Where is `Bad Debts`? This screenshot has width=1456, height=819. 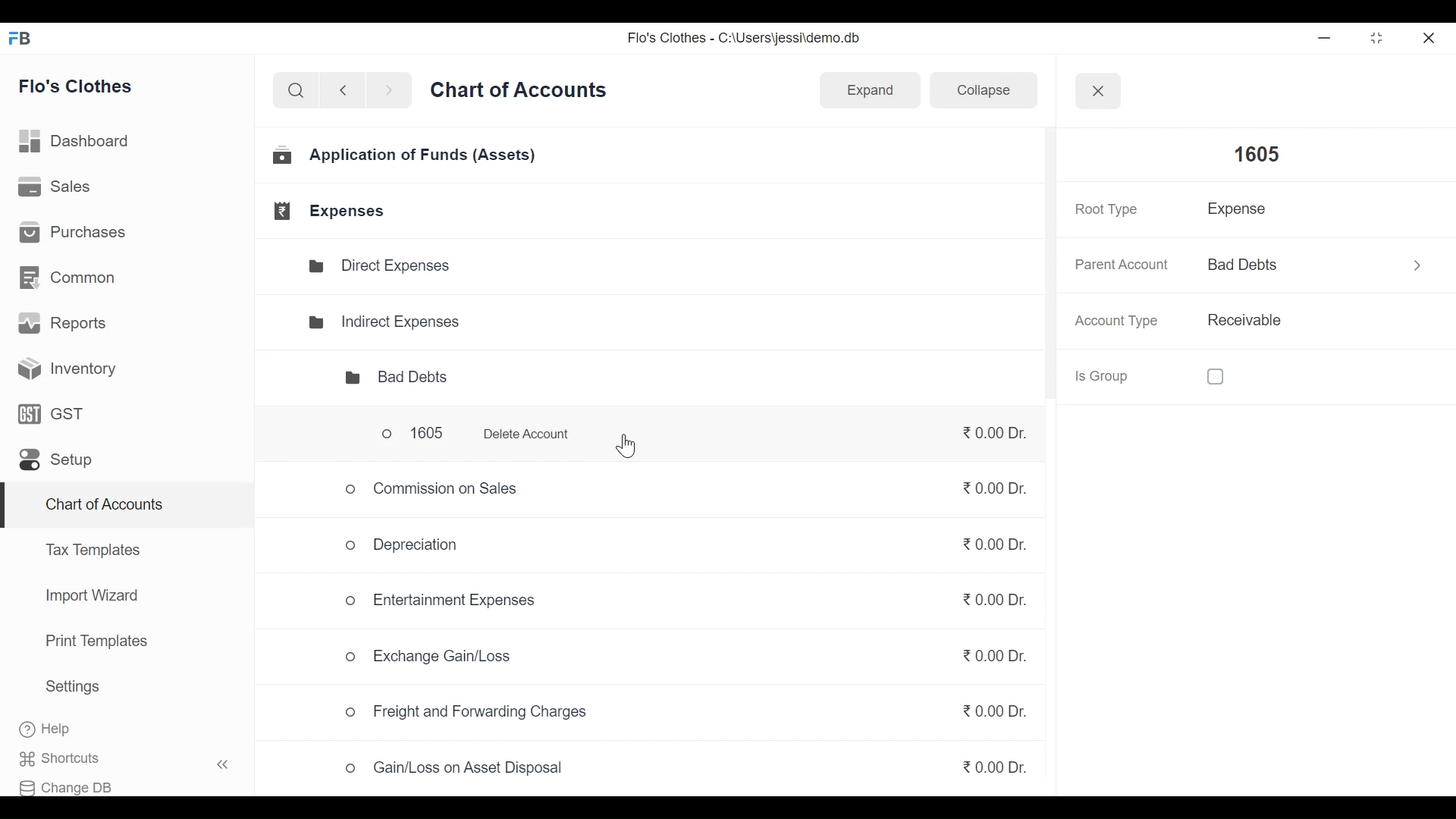 Bad Debts is located at coordinates (384, 378).